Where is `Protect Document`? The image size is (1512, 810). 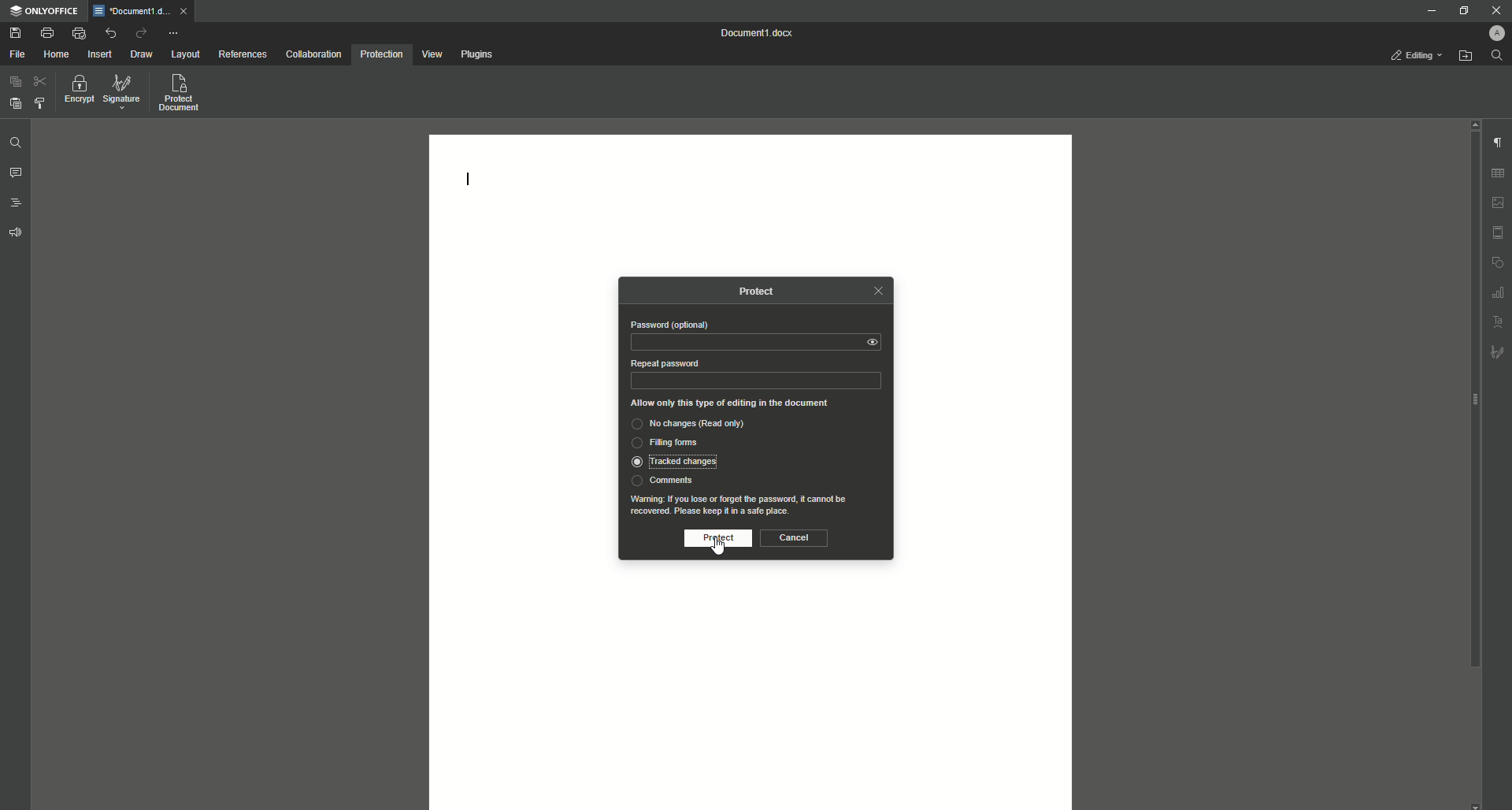
Protect Document is located at coordinates (183, 92).